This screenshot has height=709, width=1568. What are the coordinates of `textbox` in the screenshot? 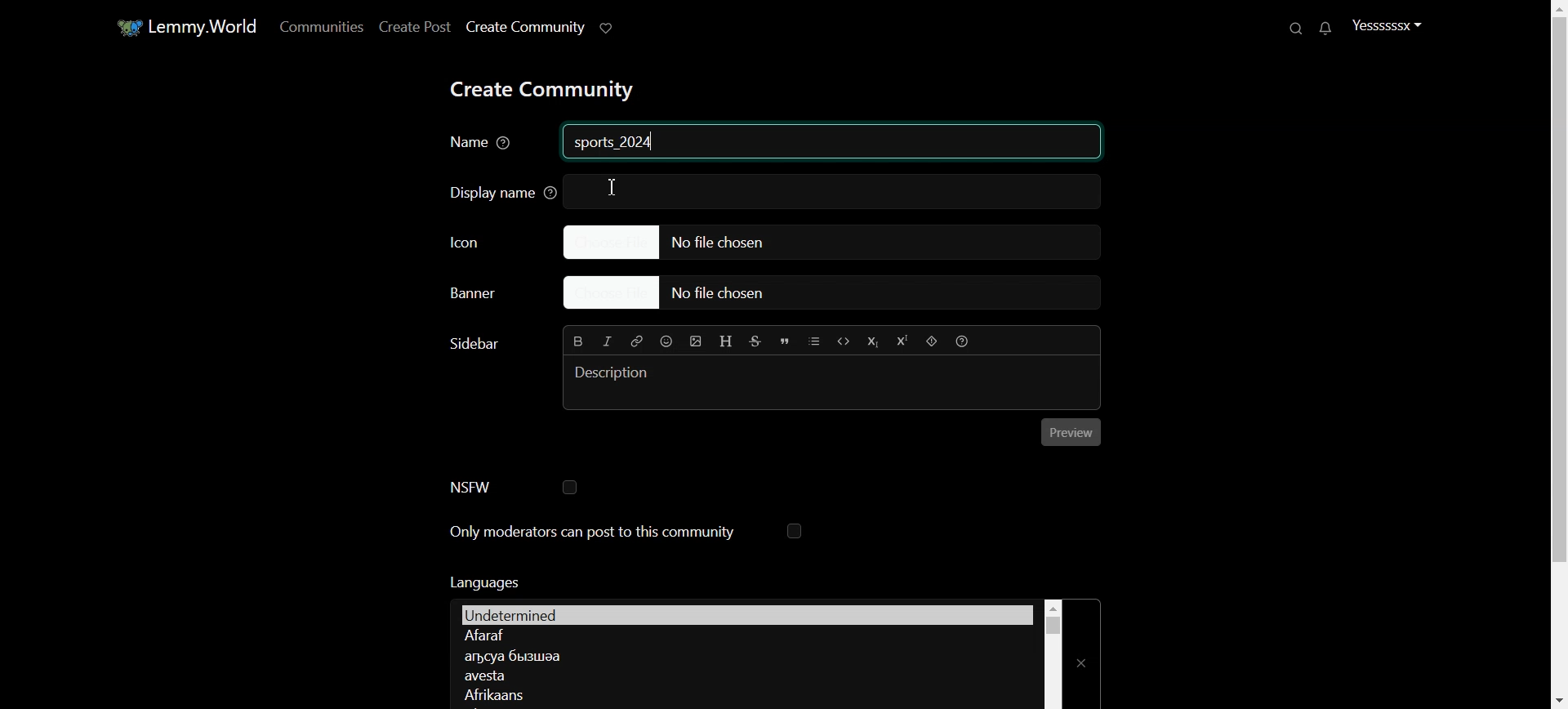 It's located at (845, 190).